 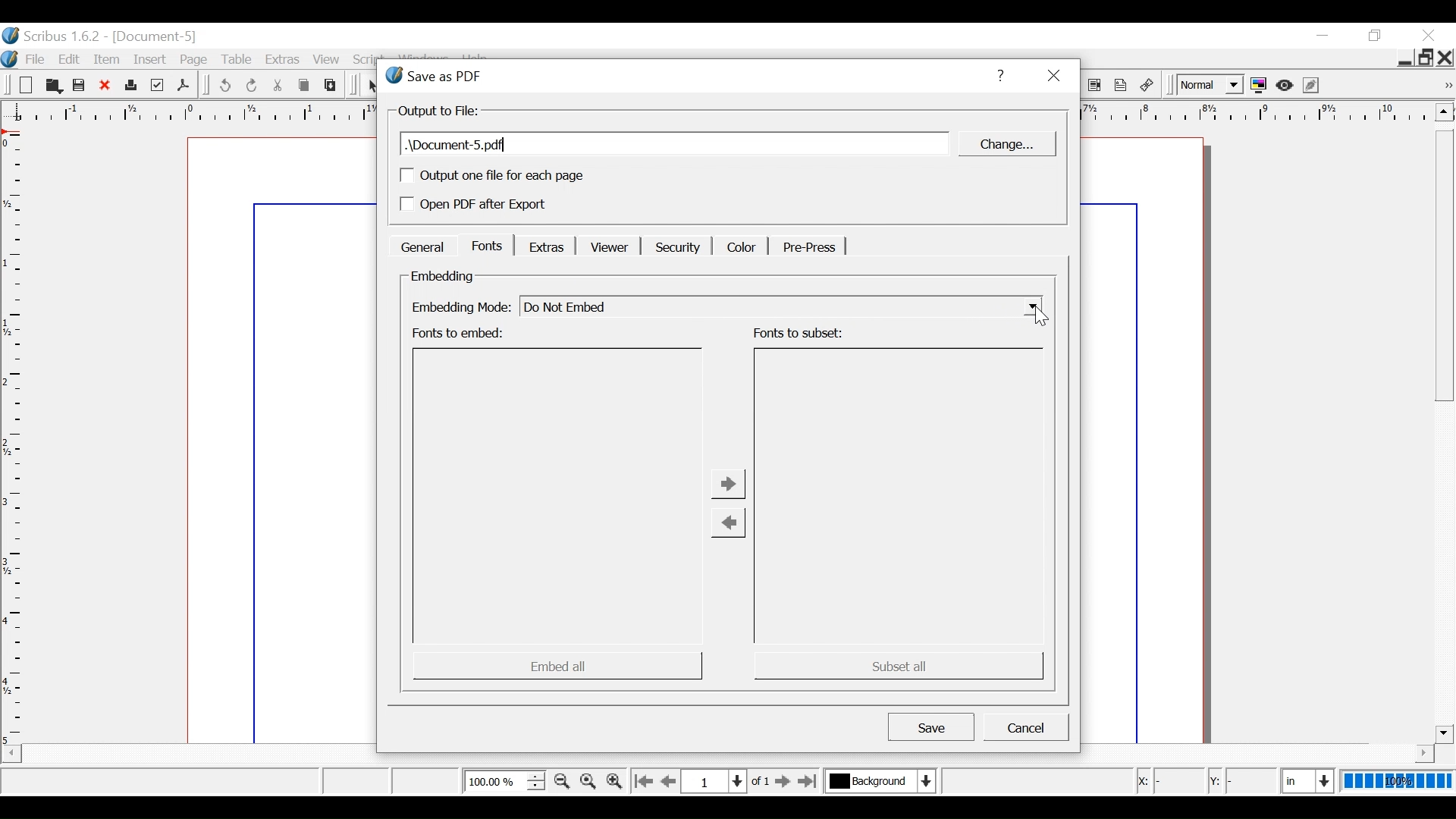 What do you see at coordinates (1026, 727) in the screenshot?
I see `Cancel` at bounding box center [1026, 727].